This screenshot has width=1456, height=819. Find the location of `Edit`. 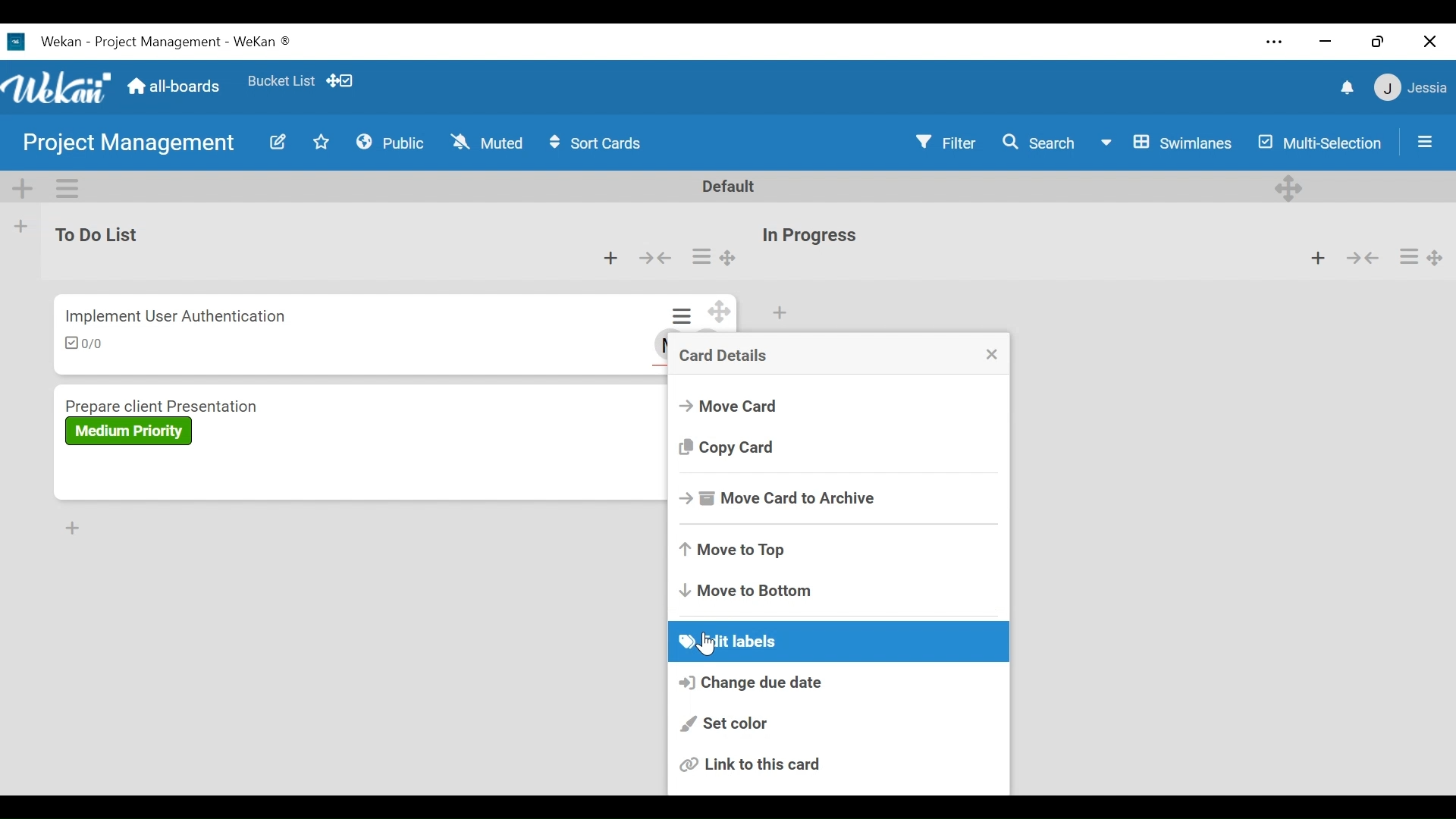

Edit is located at coordinates (277, 142).